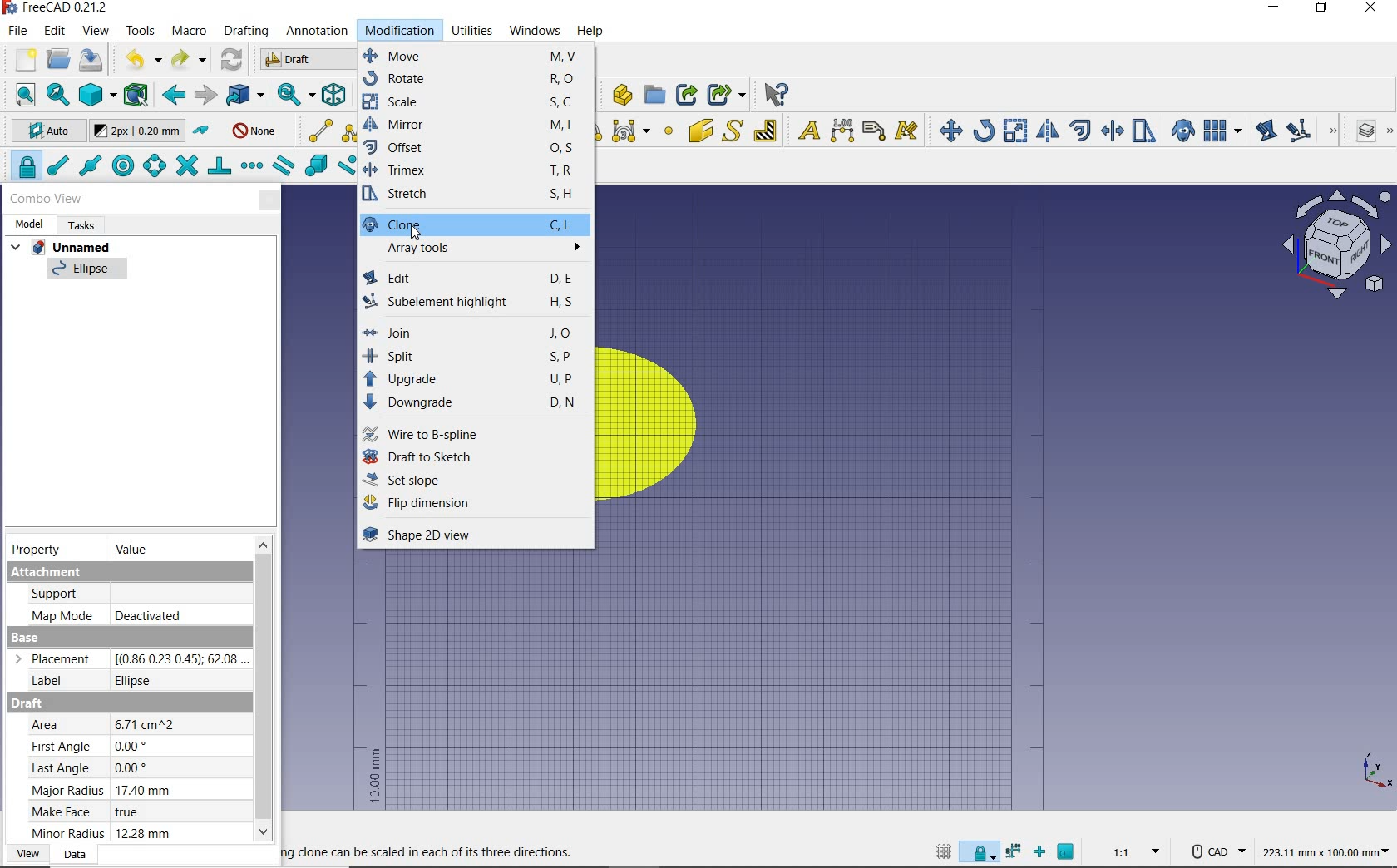 The image size is (1397, 868). I want to click on clone can be scaled in each of the three dimensions, so click(435, 851).